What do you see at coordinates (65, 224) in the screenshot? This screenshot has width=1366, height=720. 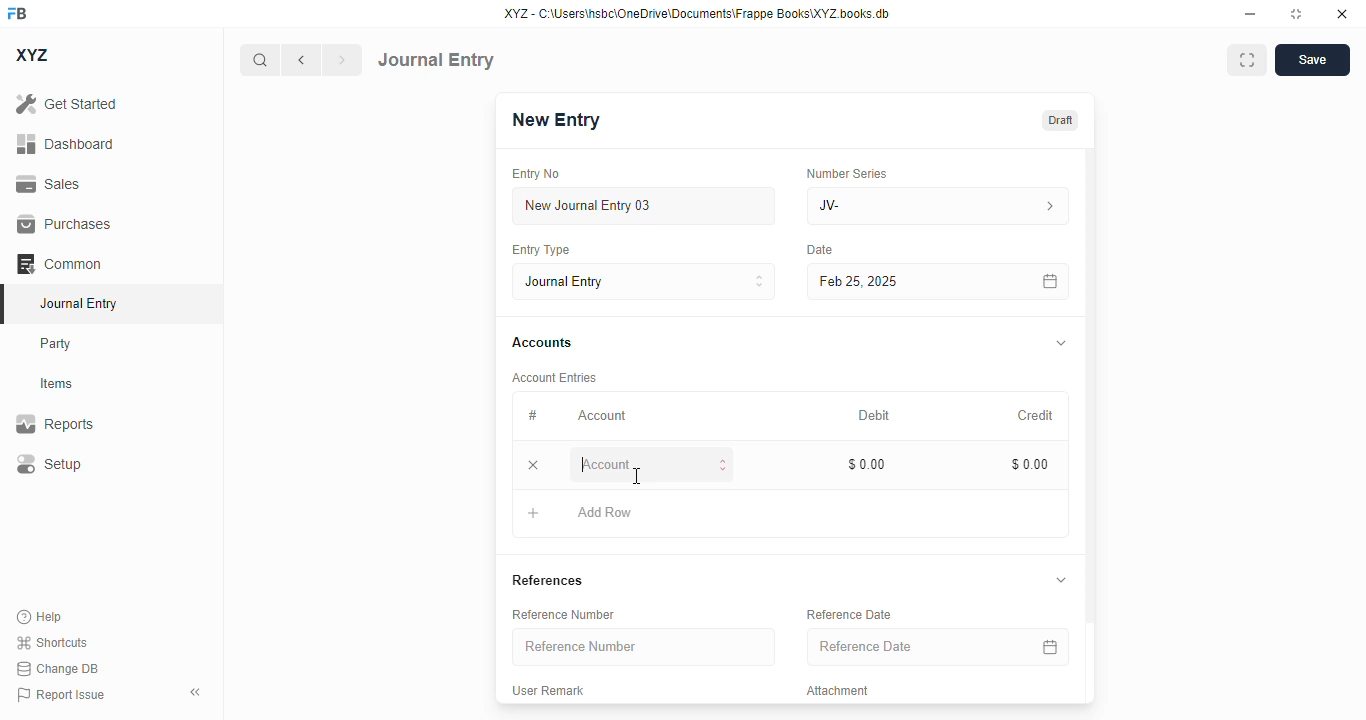 I see `purchases` at bounding box center [65, 224].